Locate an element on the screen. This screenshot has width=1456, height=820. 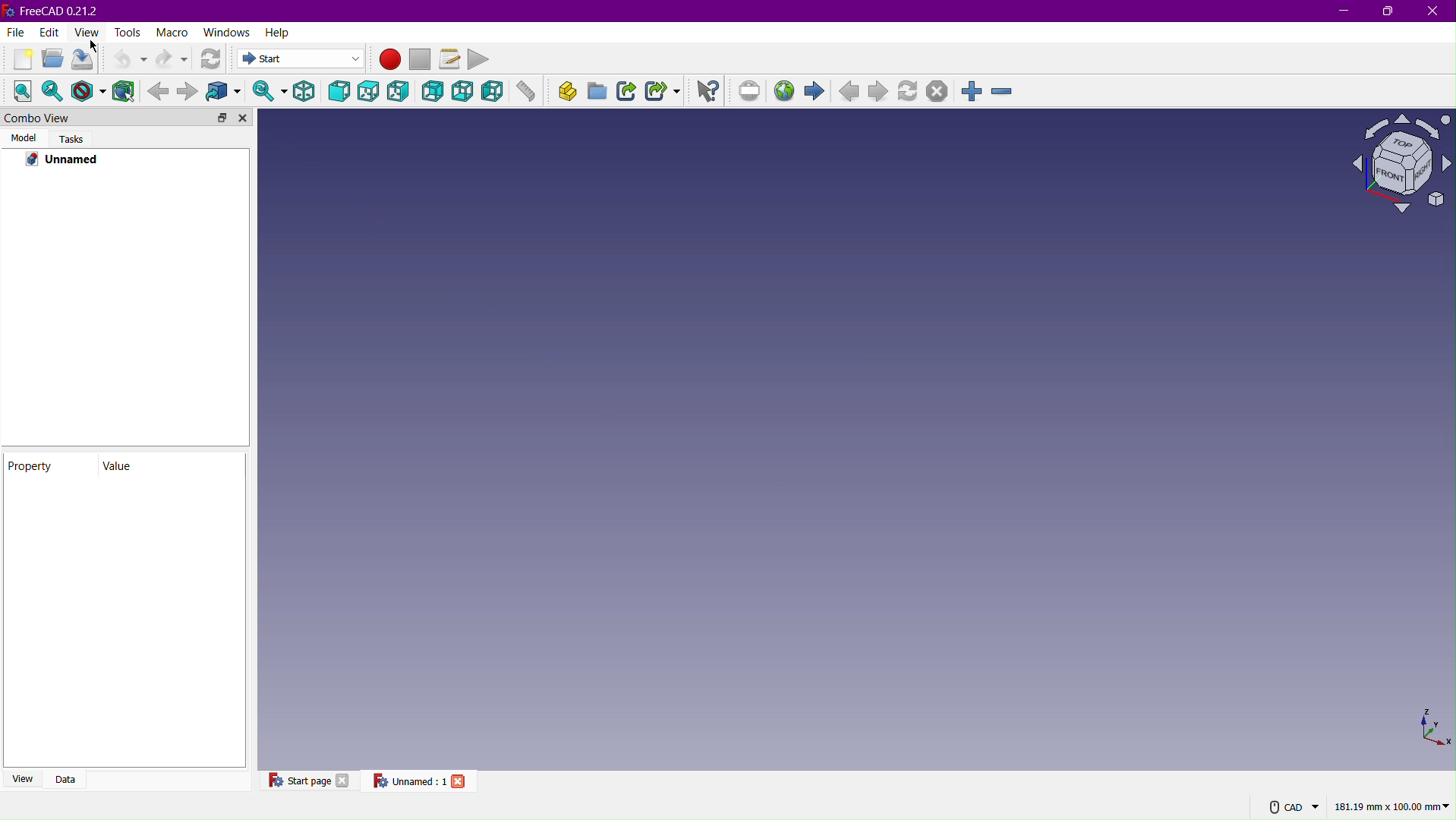
Model is located at coordinates (24, 141).